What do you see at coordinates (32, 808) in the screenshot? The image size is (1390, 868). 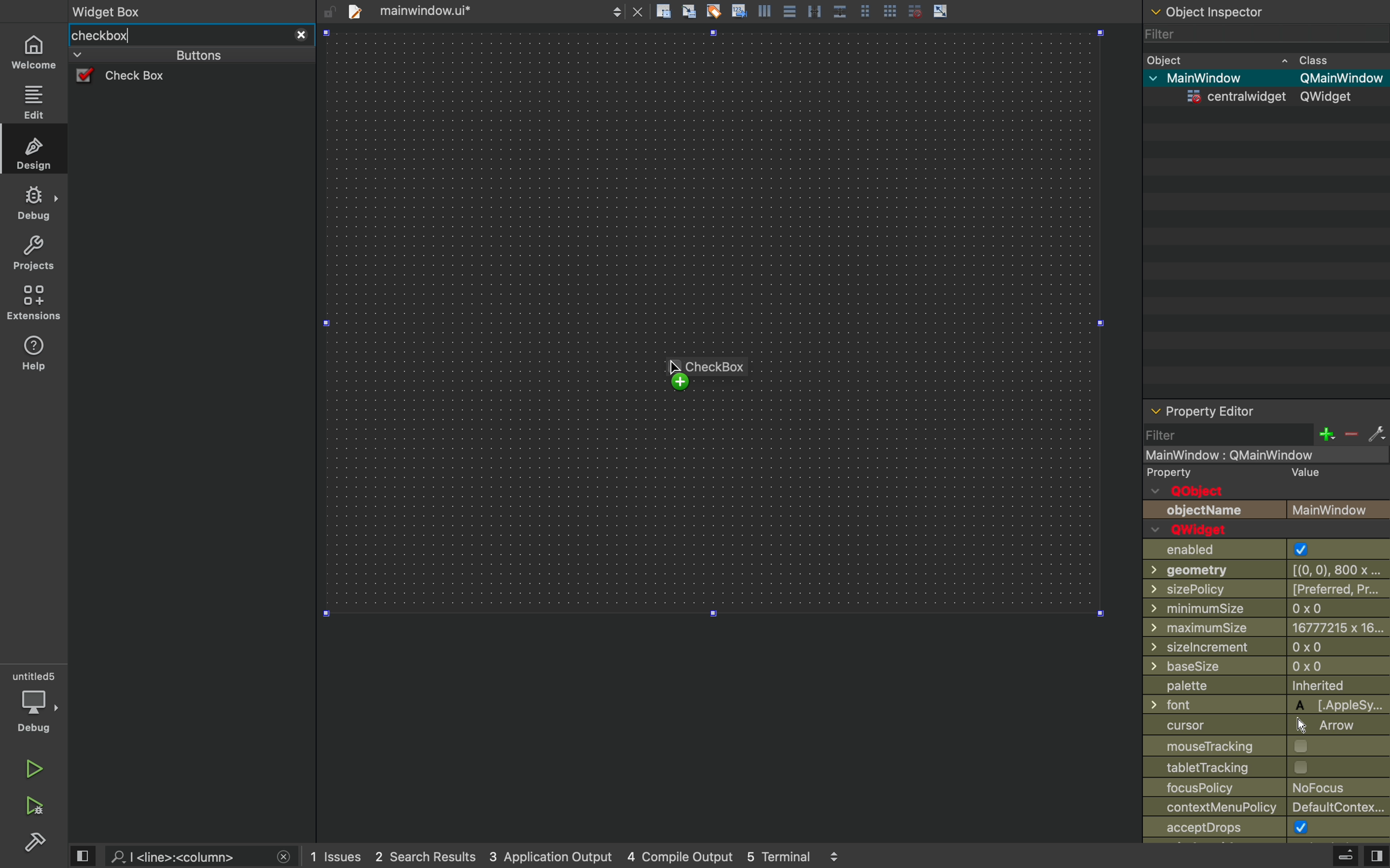 I see `run and debug` at bounding box center [32, 808].